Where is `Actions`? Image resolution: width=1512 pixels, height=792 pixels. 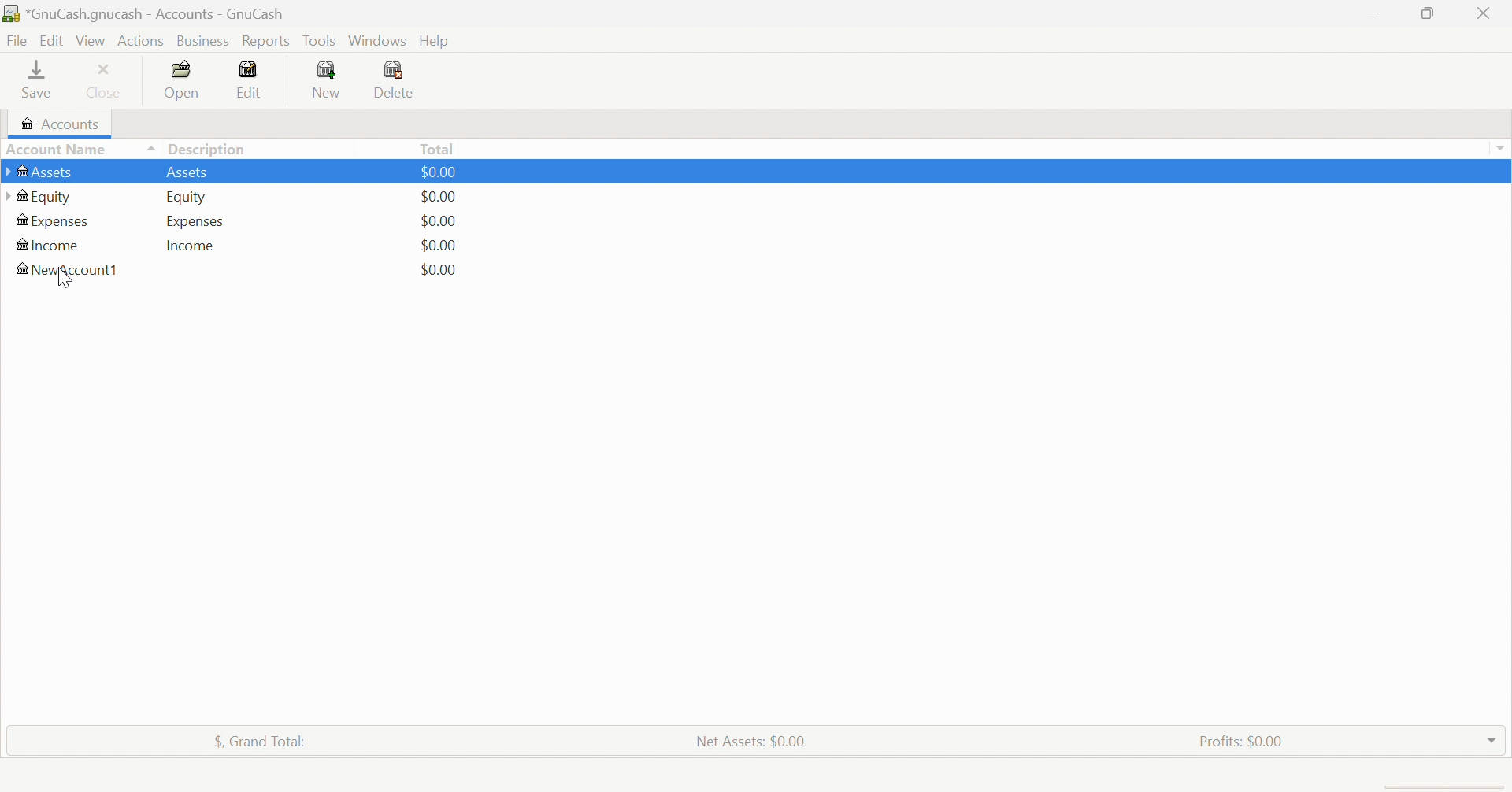 Actions is located at coordinates (142, 41).